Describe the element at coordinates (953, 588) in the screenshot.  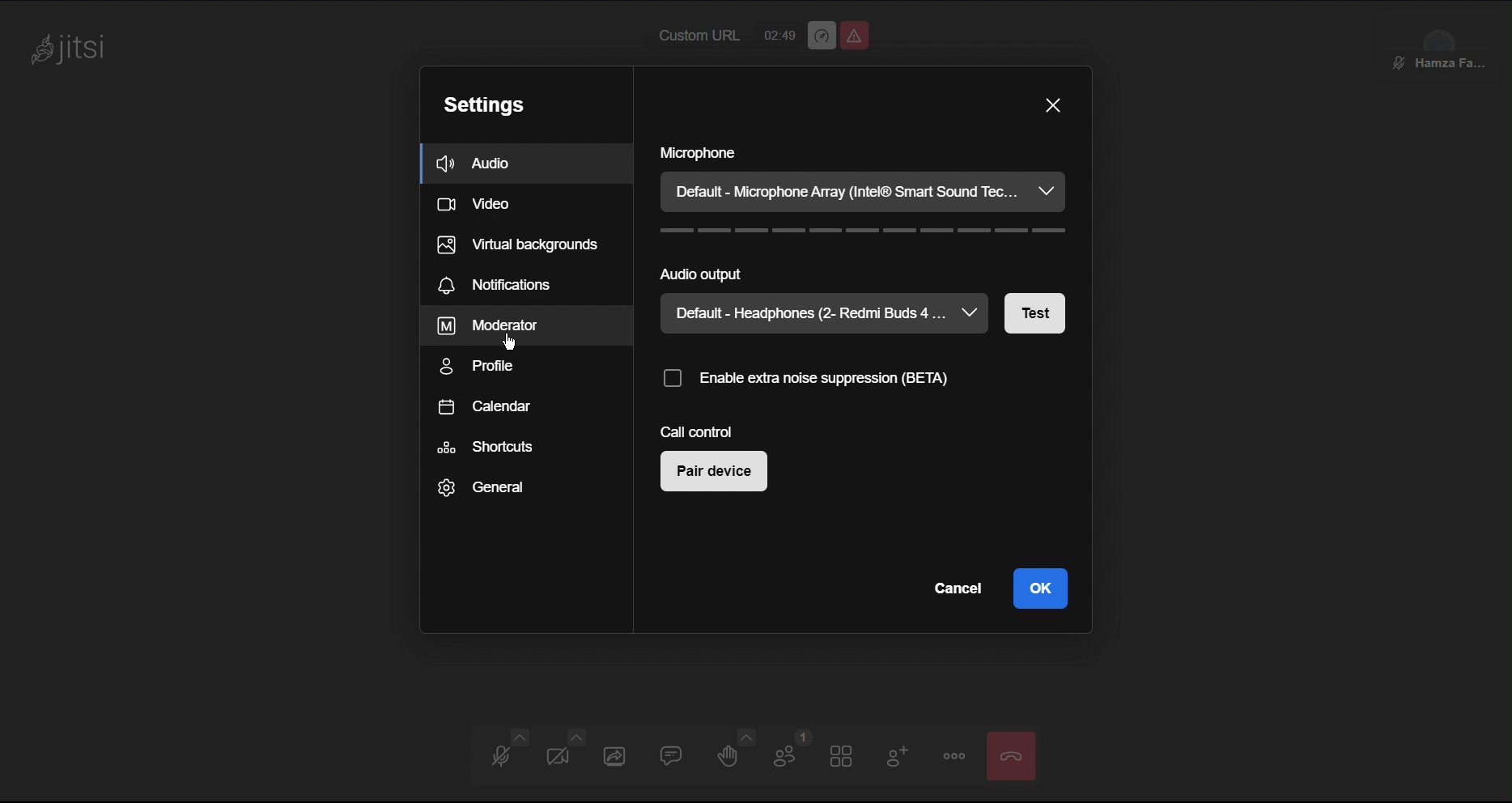
I see `Cancel` at that location.